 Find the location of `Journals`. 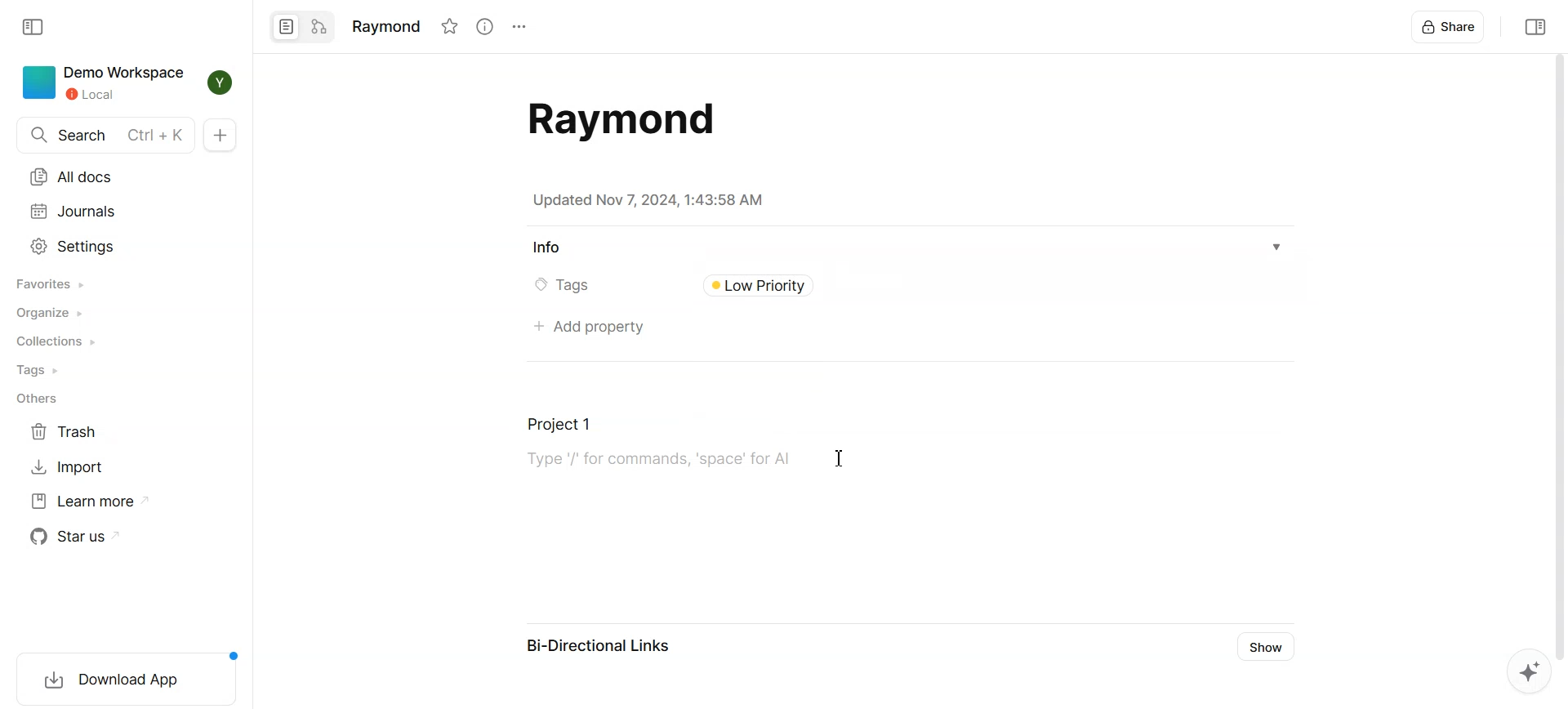

Journals is located at coordinates (73, 212).